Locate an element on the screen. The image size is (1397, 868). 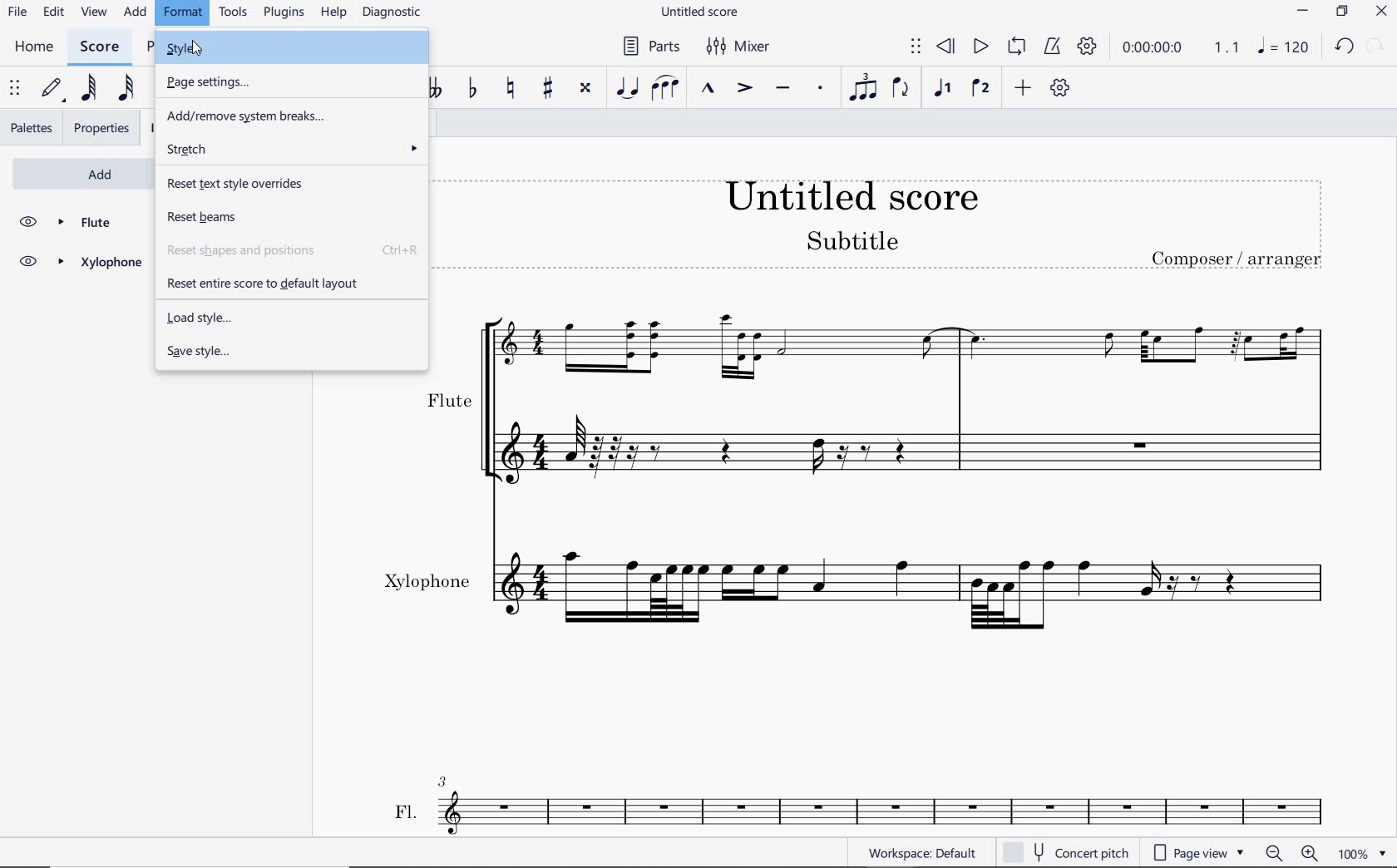
PARTS is located at coordinates (649, 46).